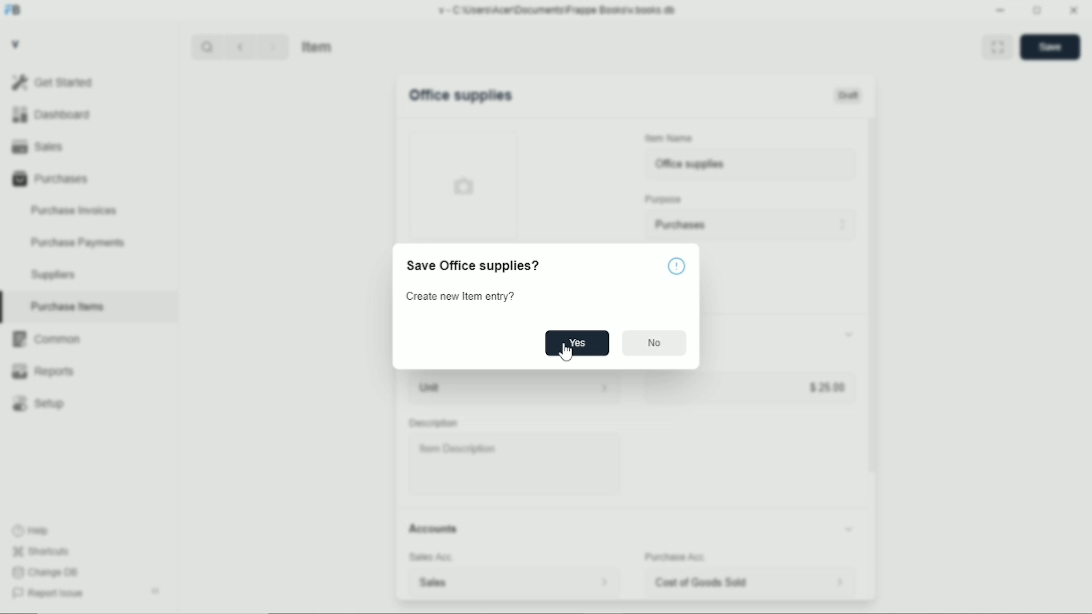  Describe the element at coordinates (53, 275) in the screenshot. I see `suppliers` at that location.